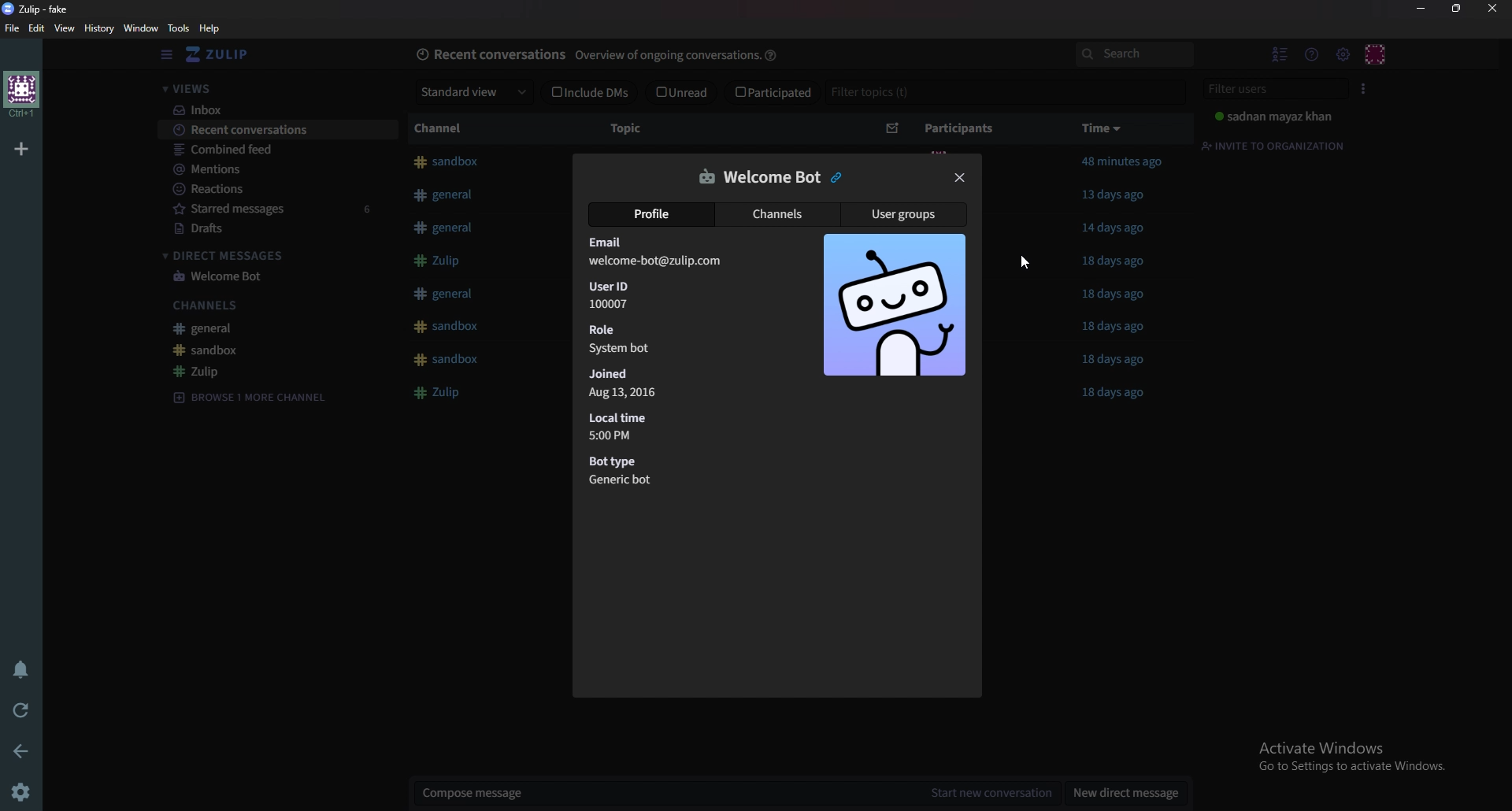  I want to click on New direct message, so click(1126, 795).